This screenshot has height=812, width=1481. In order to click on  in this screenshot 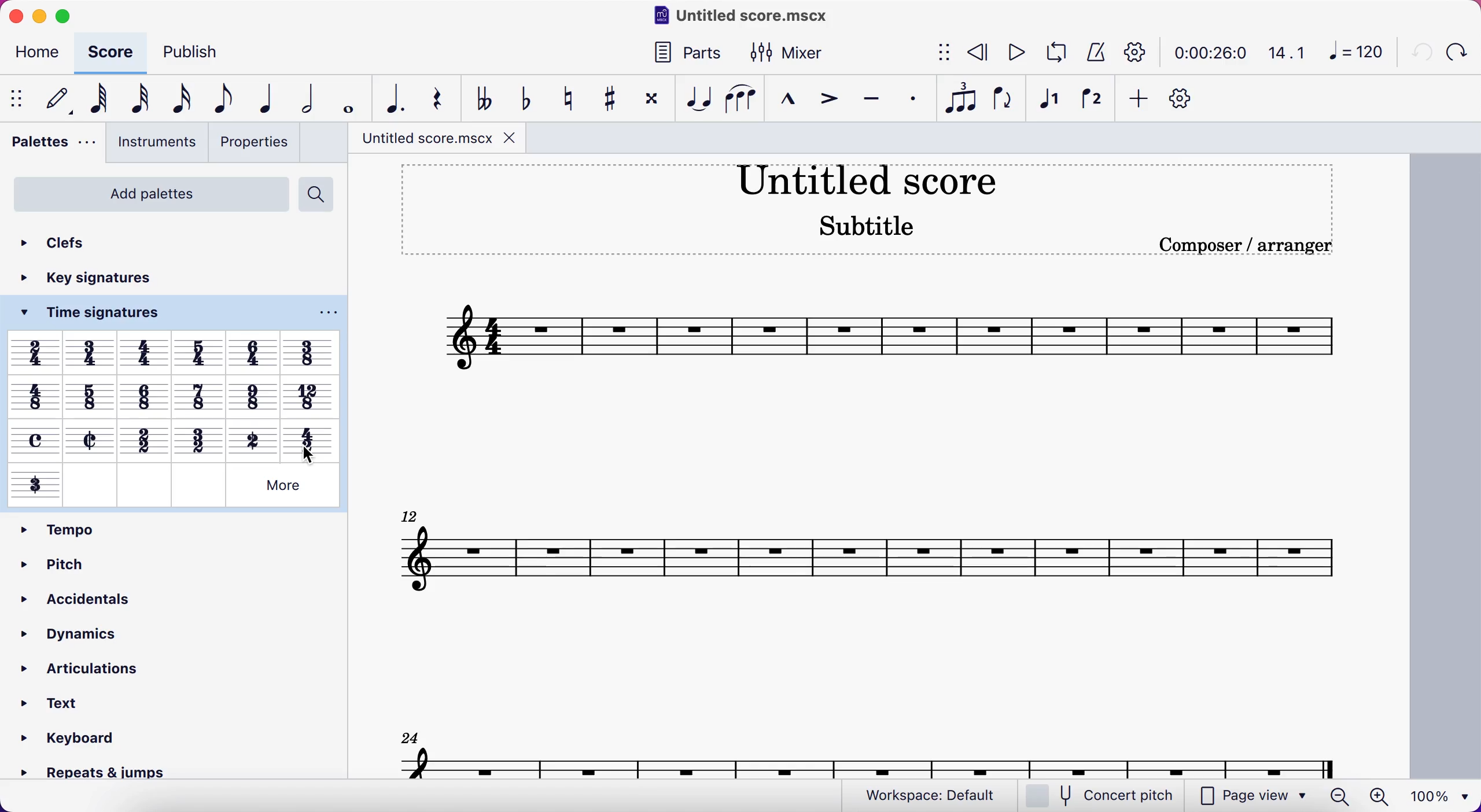, I will do `click(197, 439)`.